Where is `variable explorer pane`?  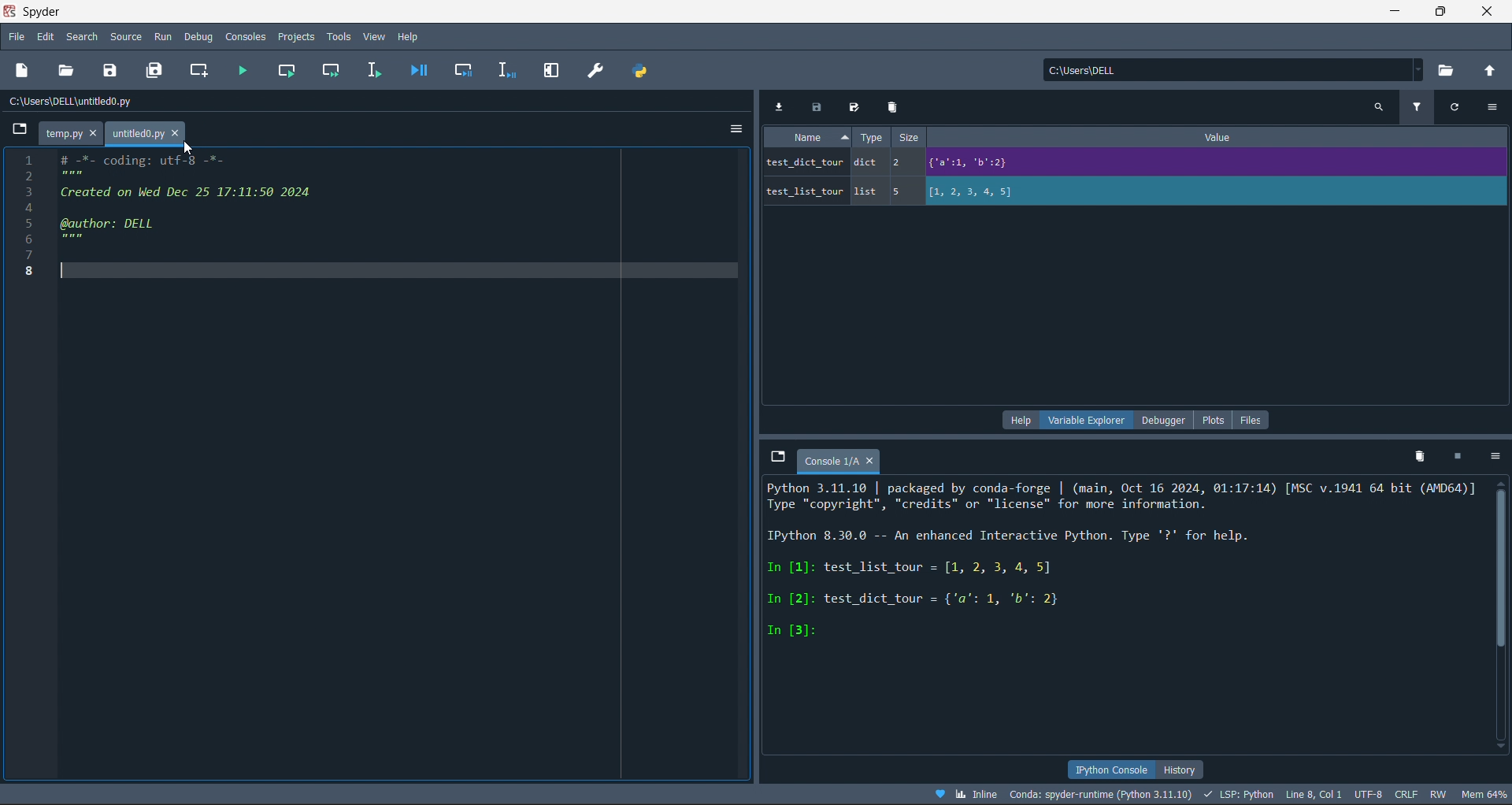 variable explorer pane is located at coordinates (1088, 422).